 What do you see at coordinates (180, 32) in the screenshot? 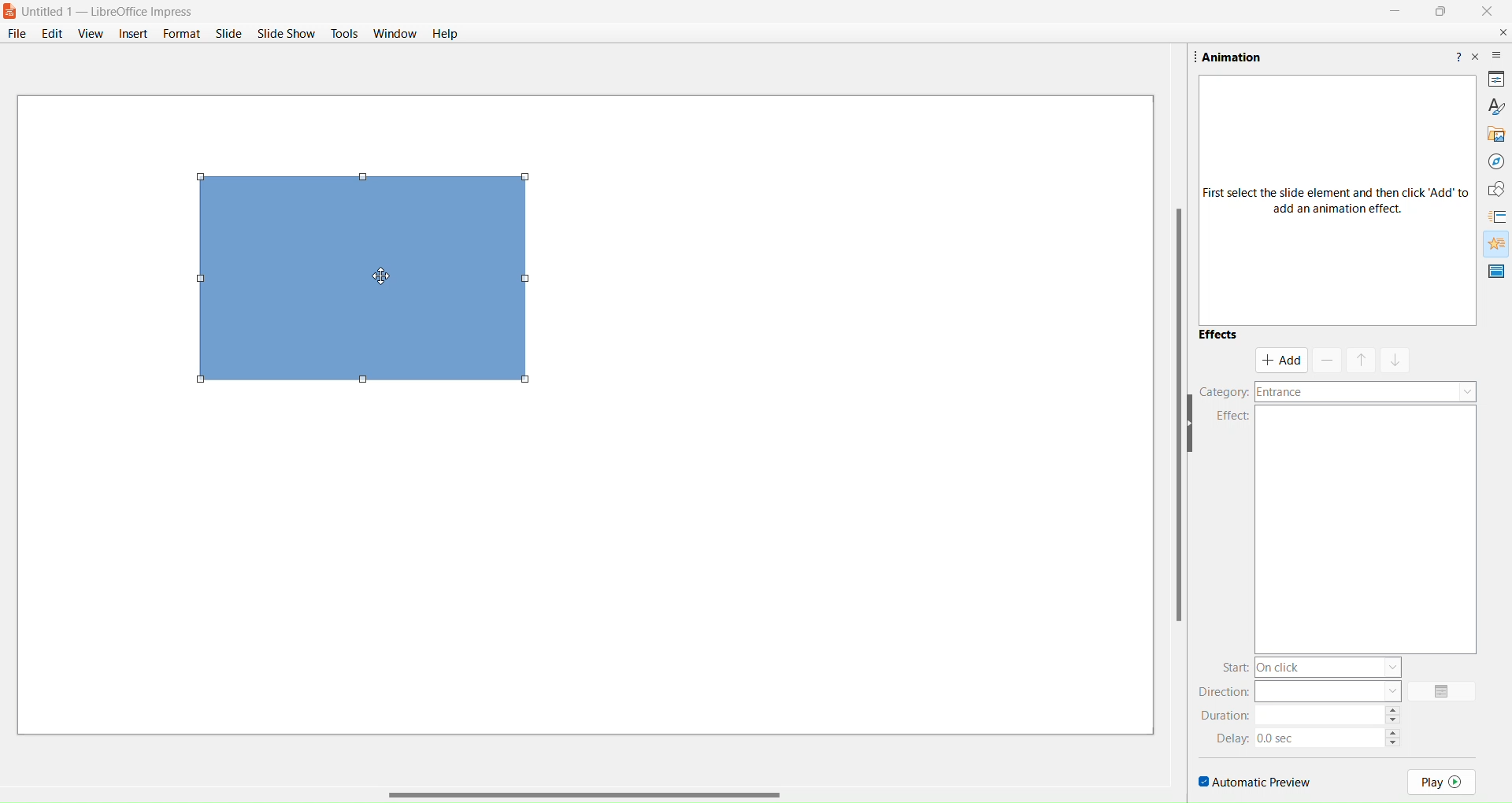
I see `format` at bounding box center [180, 32].